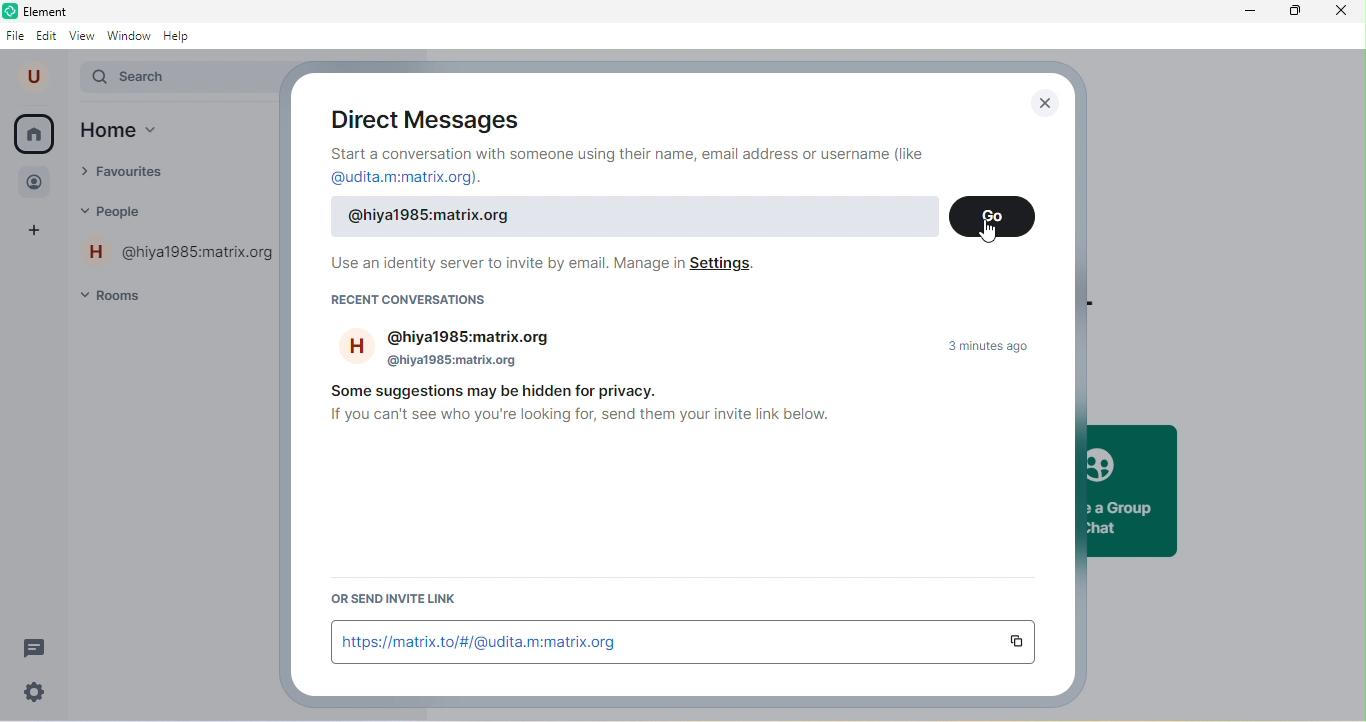  Describe the element at coordinates (417, 597) in the screenshot. I see `or send invite link` at that location.